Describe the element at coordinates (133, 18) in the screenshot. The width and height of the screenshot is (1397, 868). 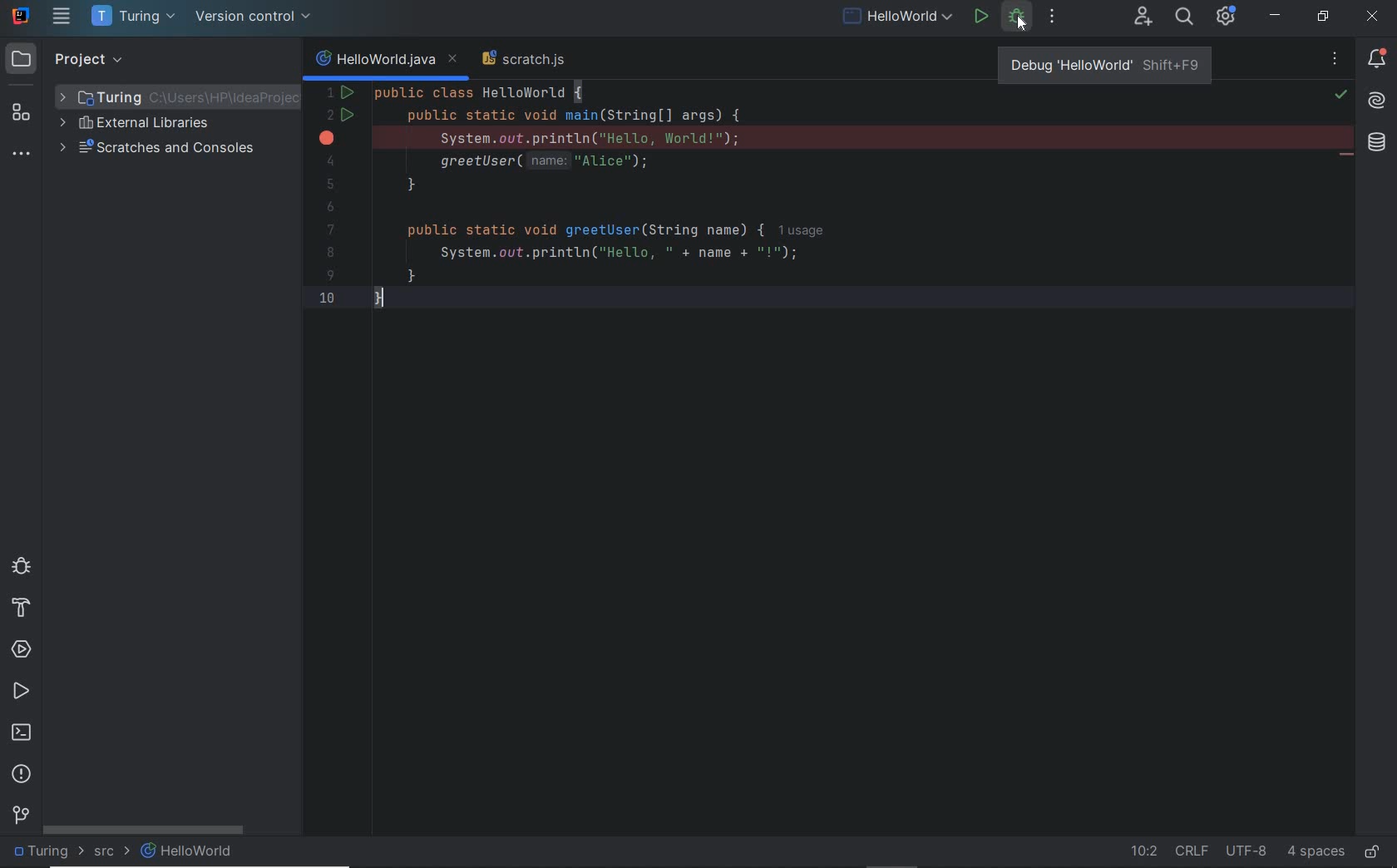
I see `project name` at that location.